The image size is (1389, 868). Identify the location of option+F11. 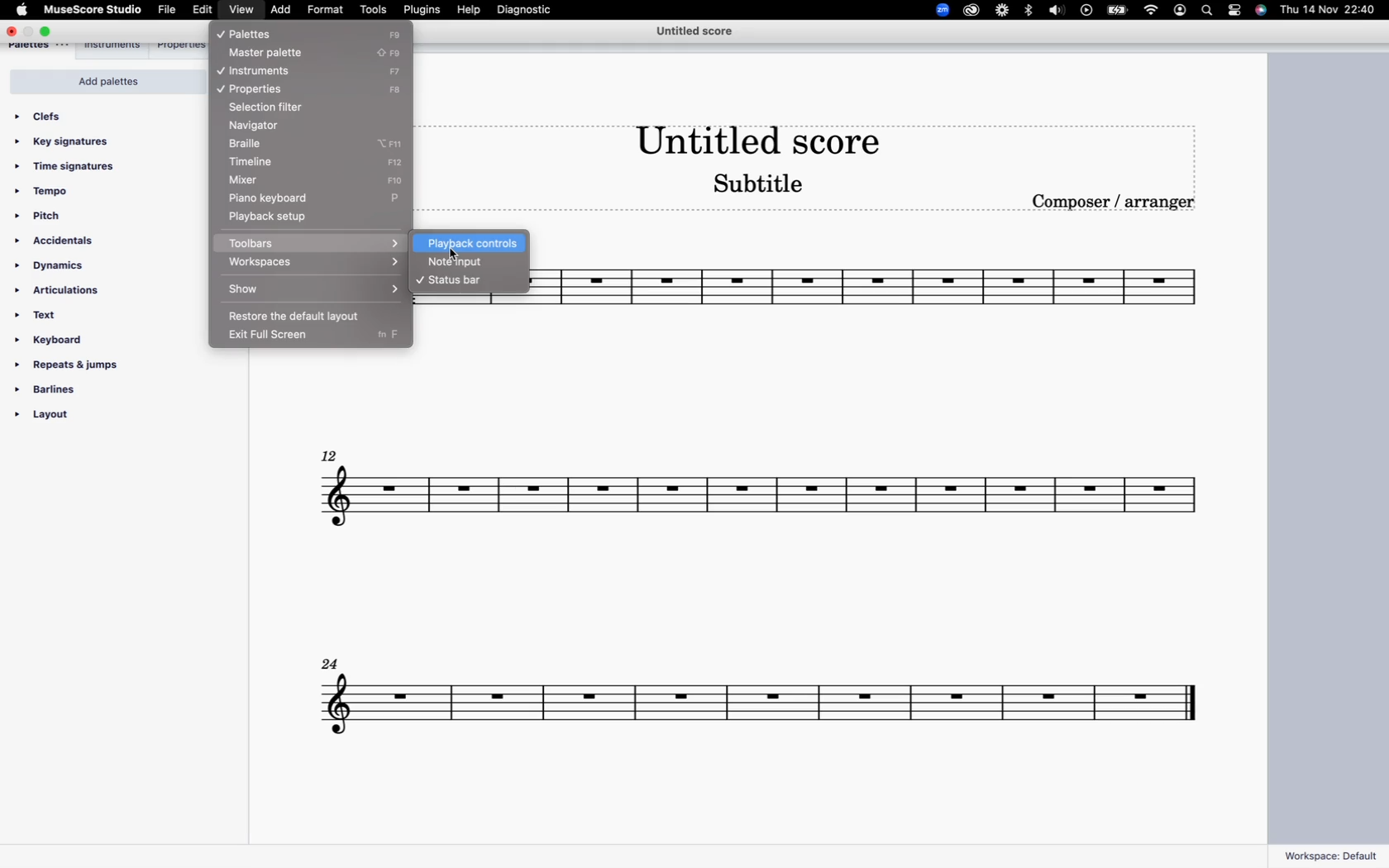
(399, 141).